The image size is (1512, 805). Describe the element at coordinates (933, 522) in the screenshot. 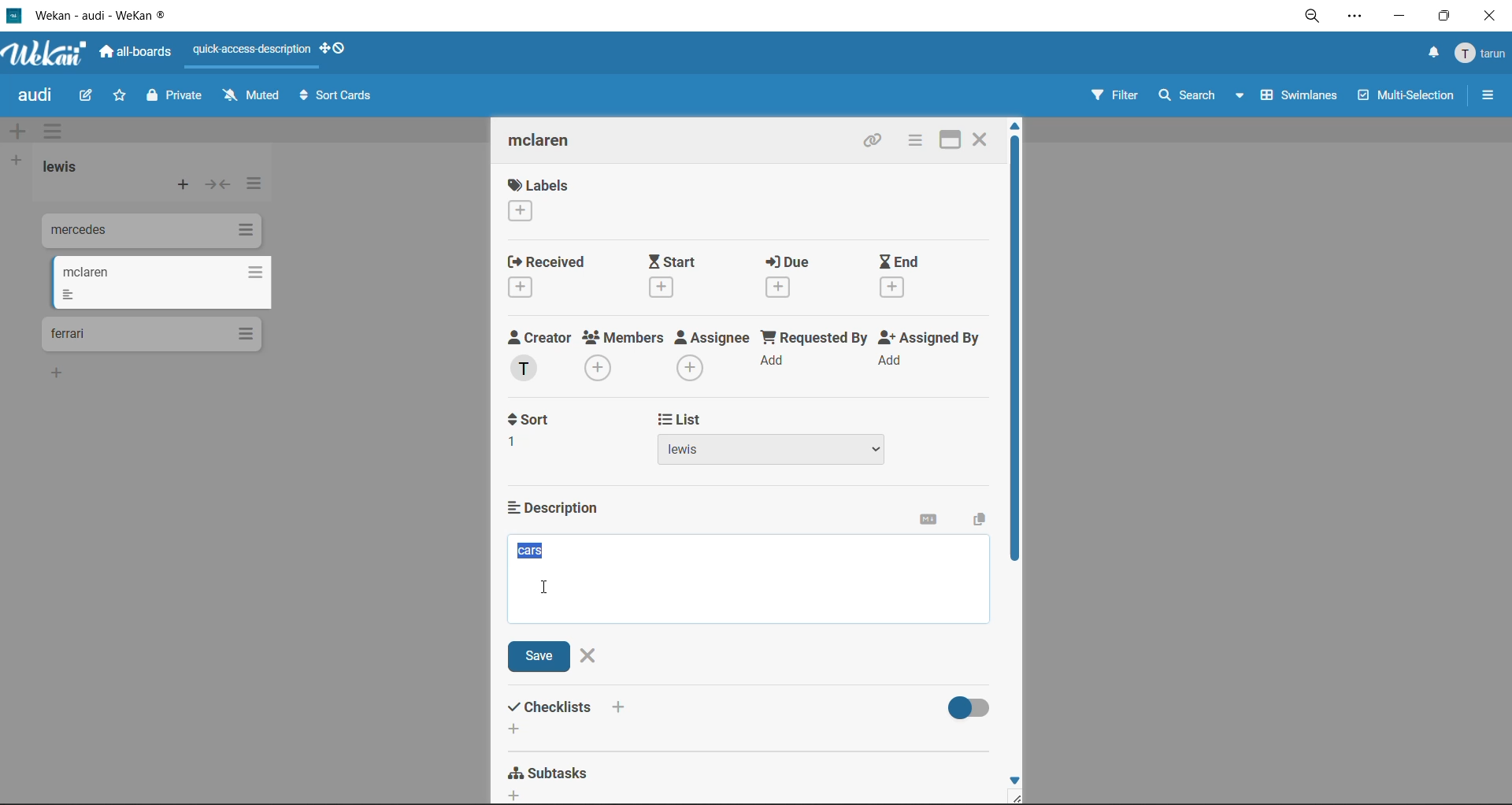

I see `markdown` at that location.